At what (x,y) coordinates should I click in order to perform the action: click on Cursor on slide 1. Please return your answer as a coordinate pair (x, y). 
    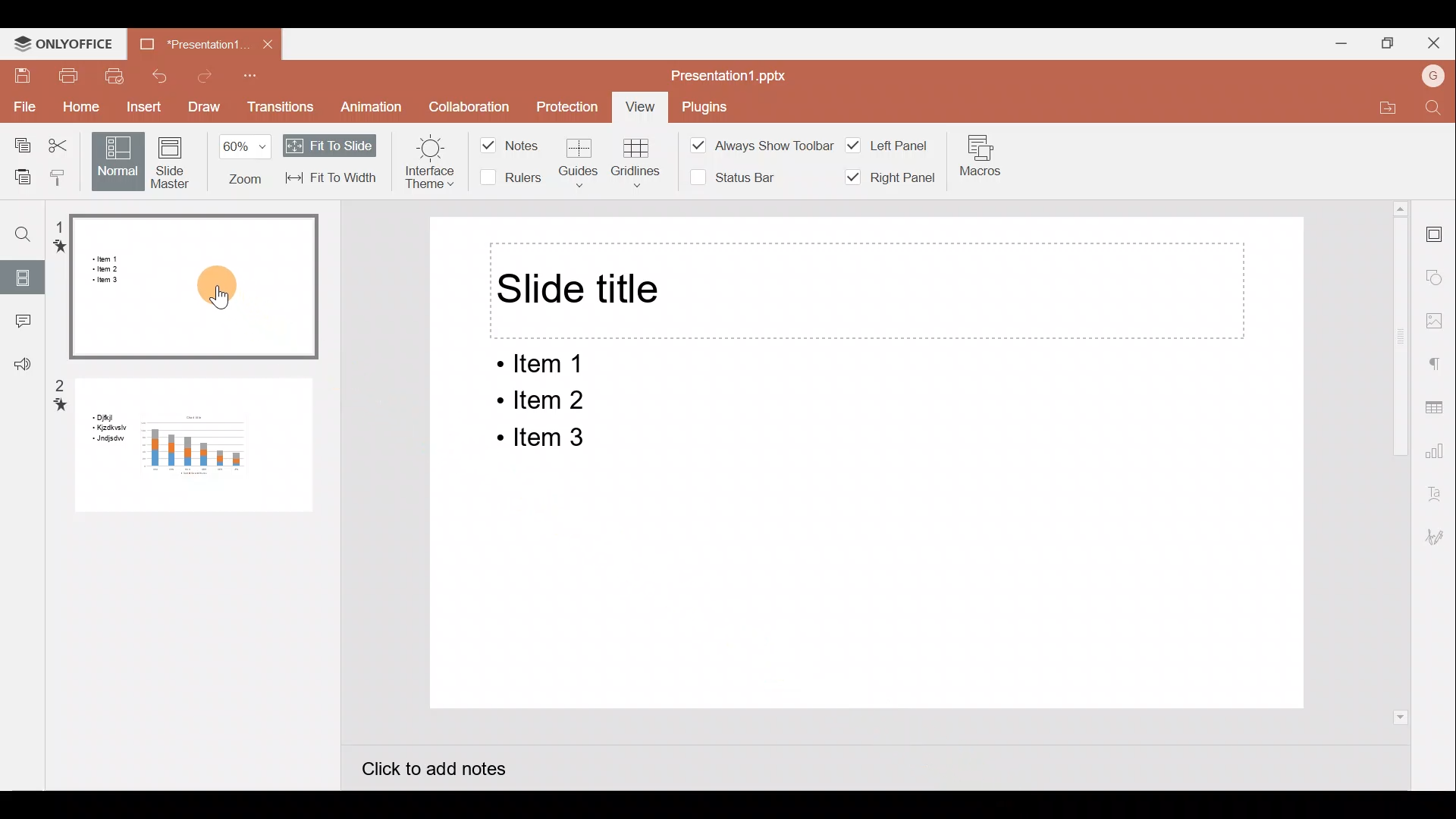
    Looking at the image, I should click on (224, 286).